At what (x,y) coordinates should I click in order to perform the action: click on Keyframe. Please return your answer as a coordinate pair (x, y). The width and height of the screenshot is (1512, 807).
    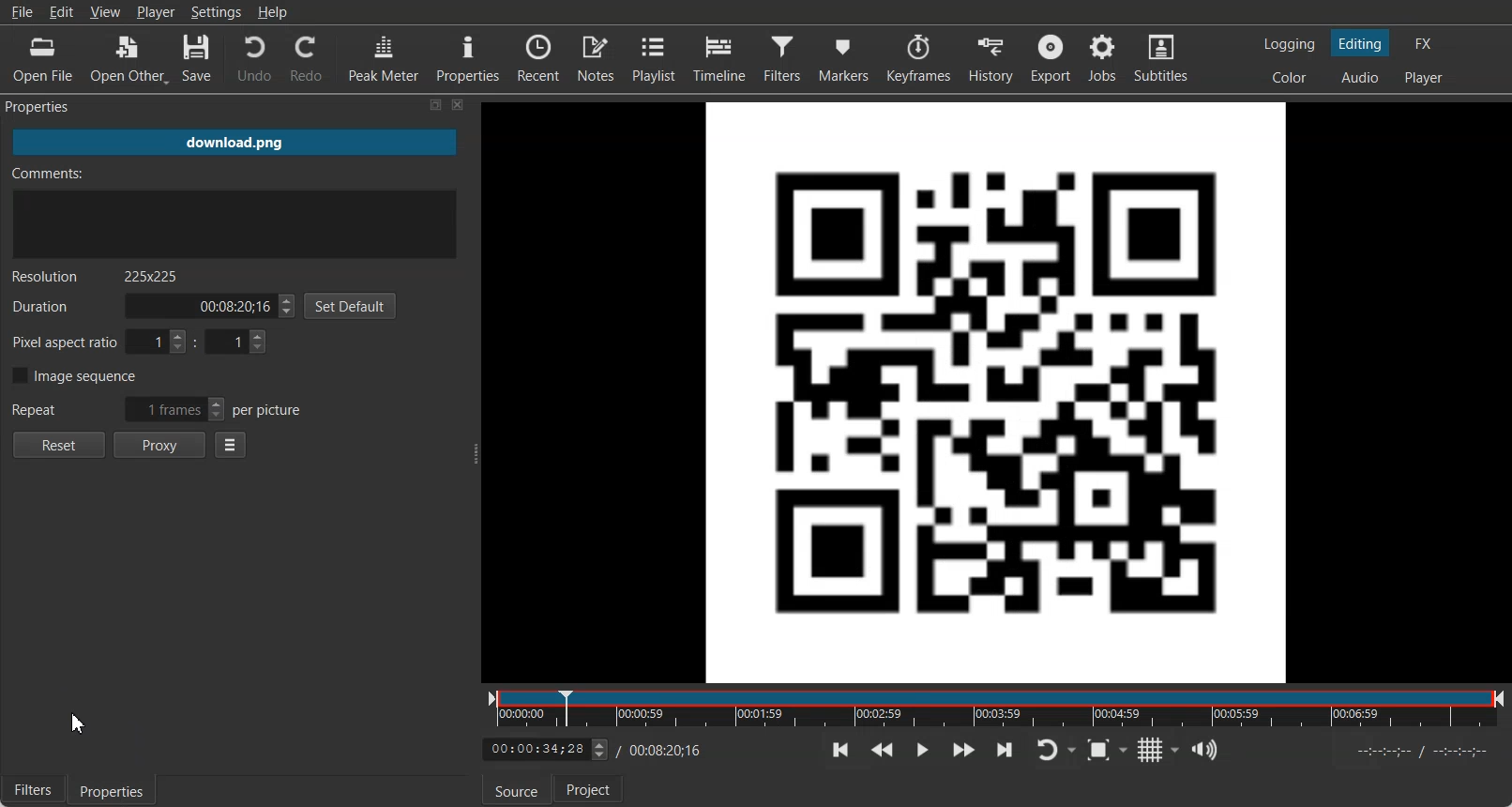
    Looking at the image, I should click on (916, 58).